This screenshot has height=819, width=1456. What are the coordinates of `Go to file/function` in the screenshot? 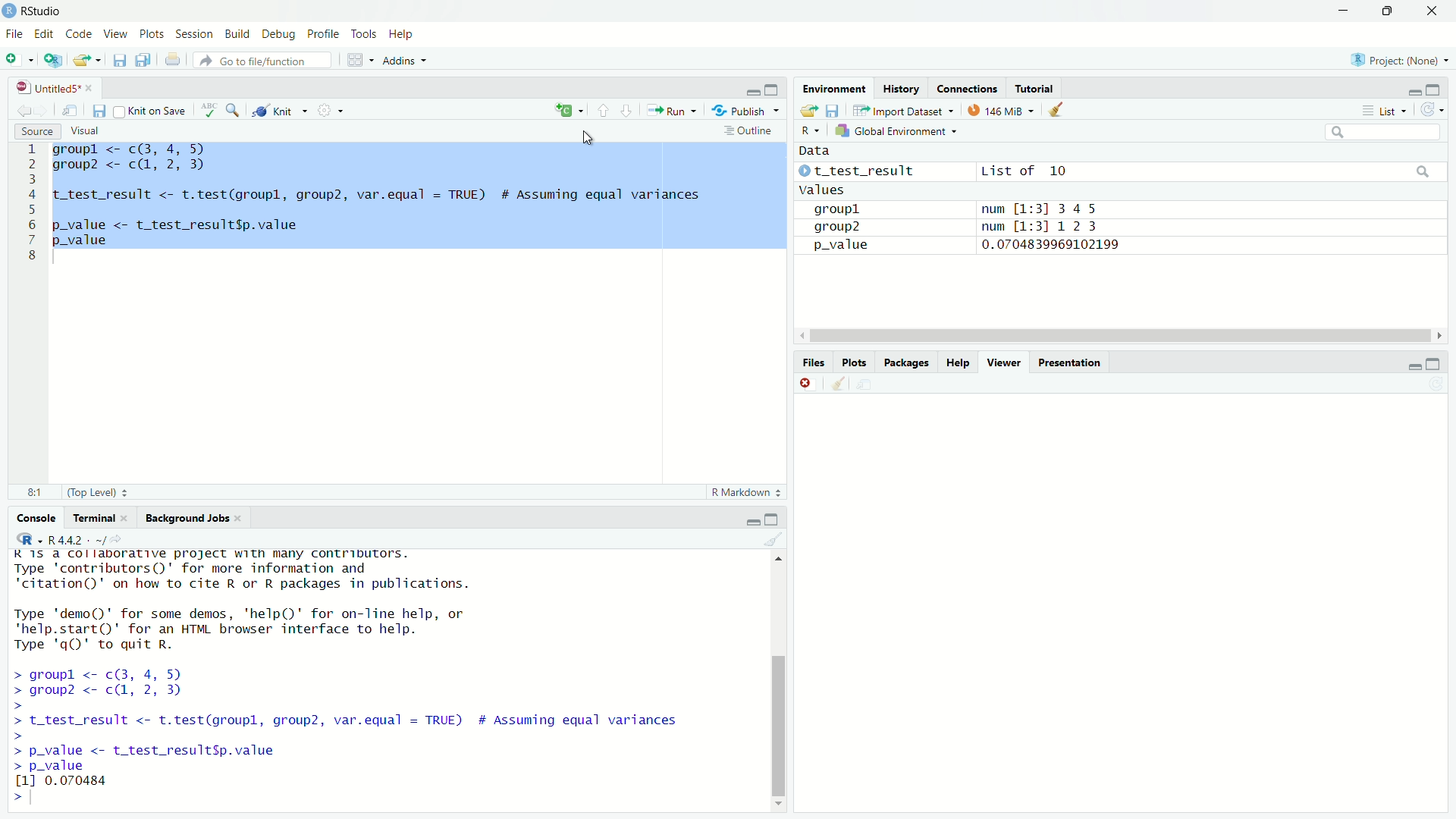 It's located at (265, 61).